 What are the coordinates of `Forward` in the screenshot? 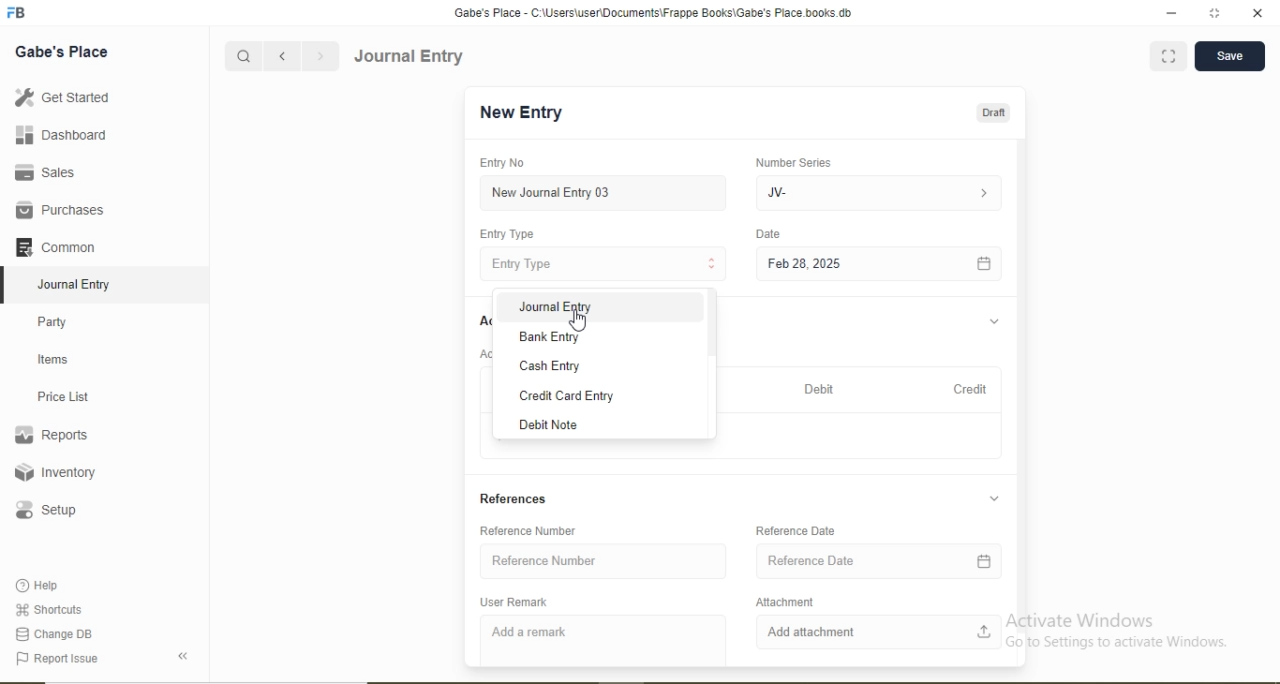 It's located at (321, 56).